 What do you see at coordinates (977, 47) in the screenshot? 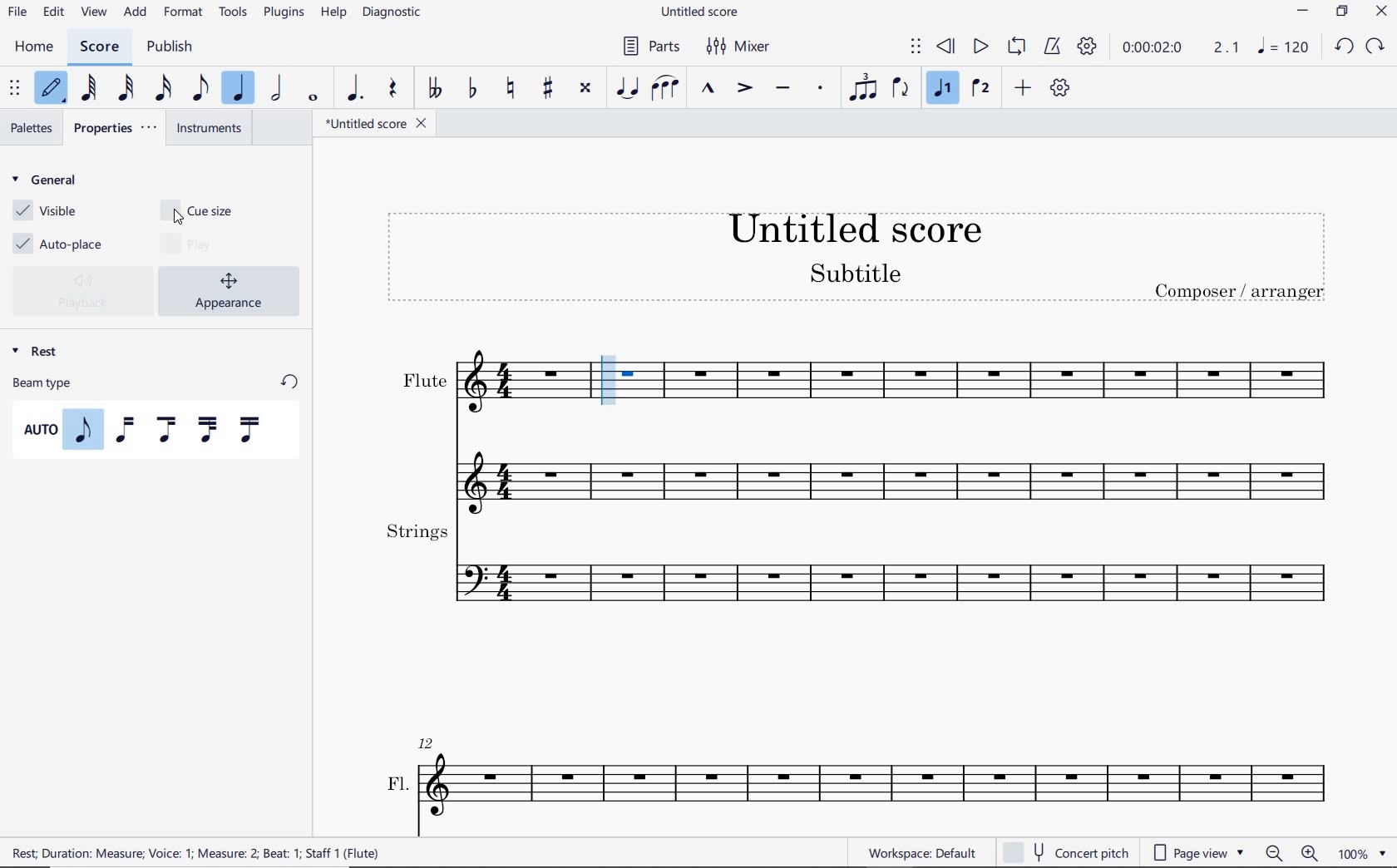
I see `PLAY` at bounding box center [977, 47].